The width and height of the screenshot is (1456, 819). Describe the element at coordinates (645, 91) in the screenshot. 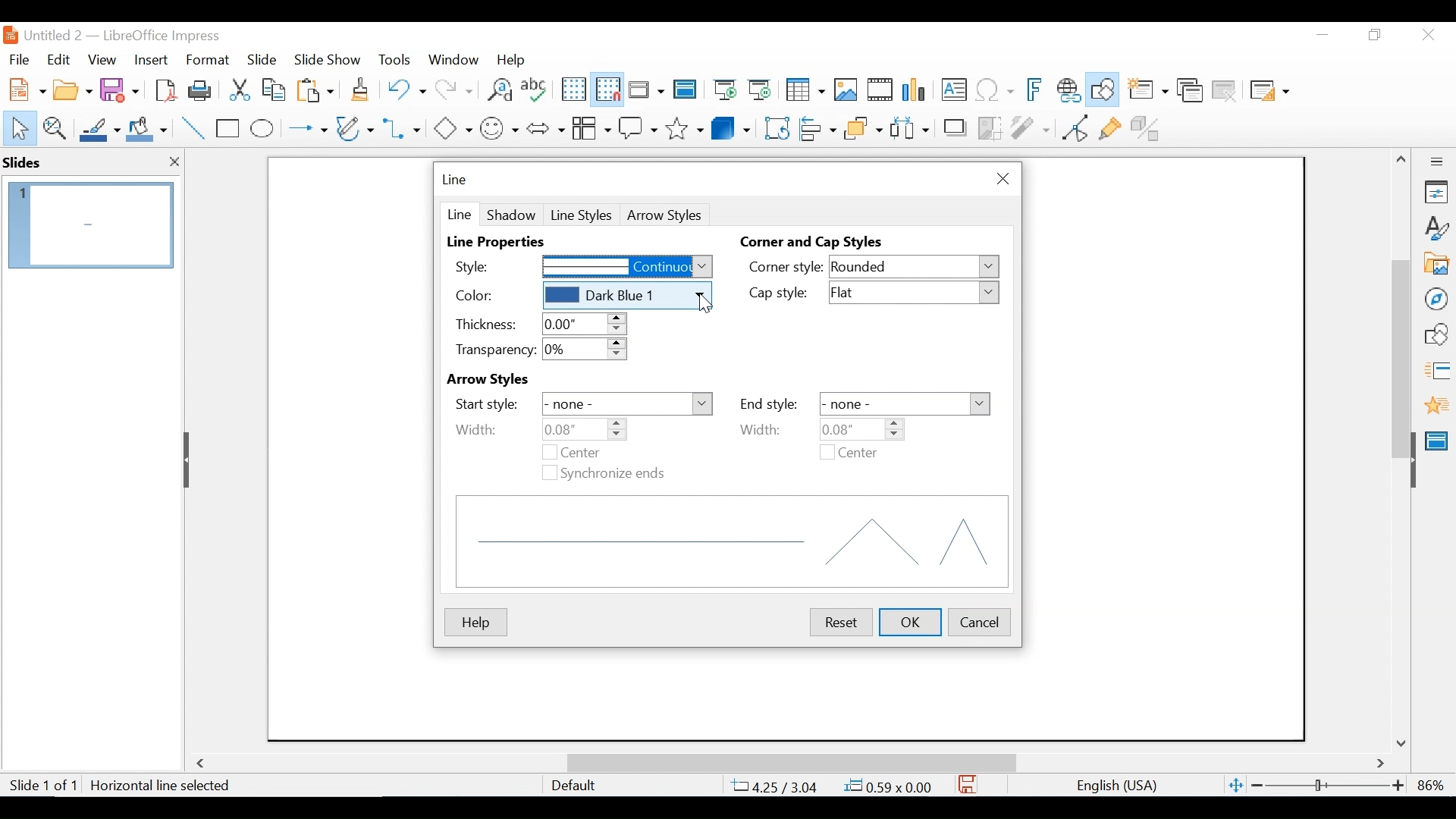

I see `Display Views` at that location.